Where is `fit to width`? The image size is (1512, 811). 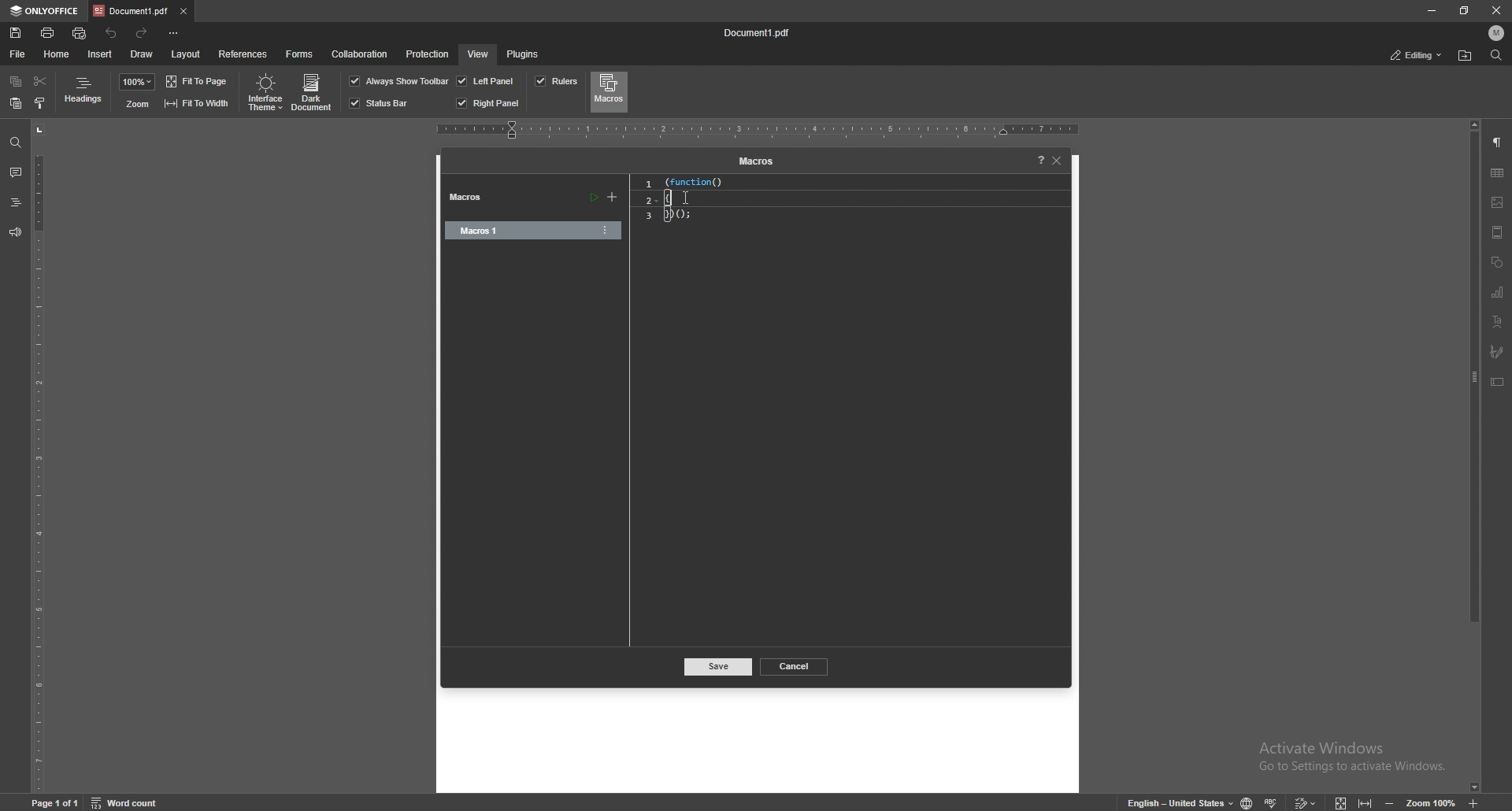 fit to width is located at coordinates (196, 102).